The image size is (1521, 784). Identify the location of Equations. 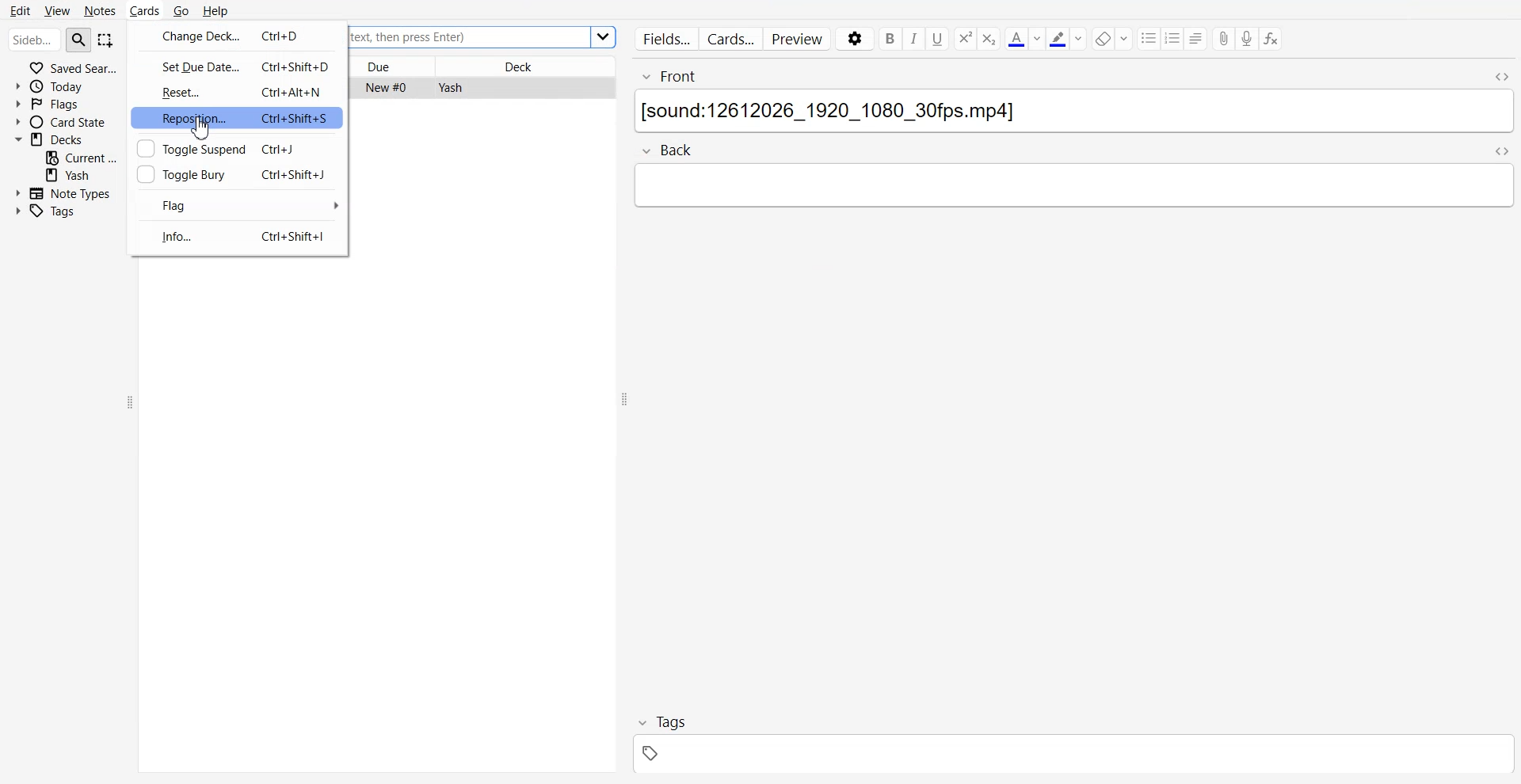
(1271, 40).